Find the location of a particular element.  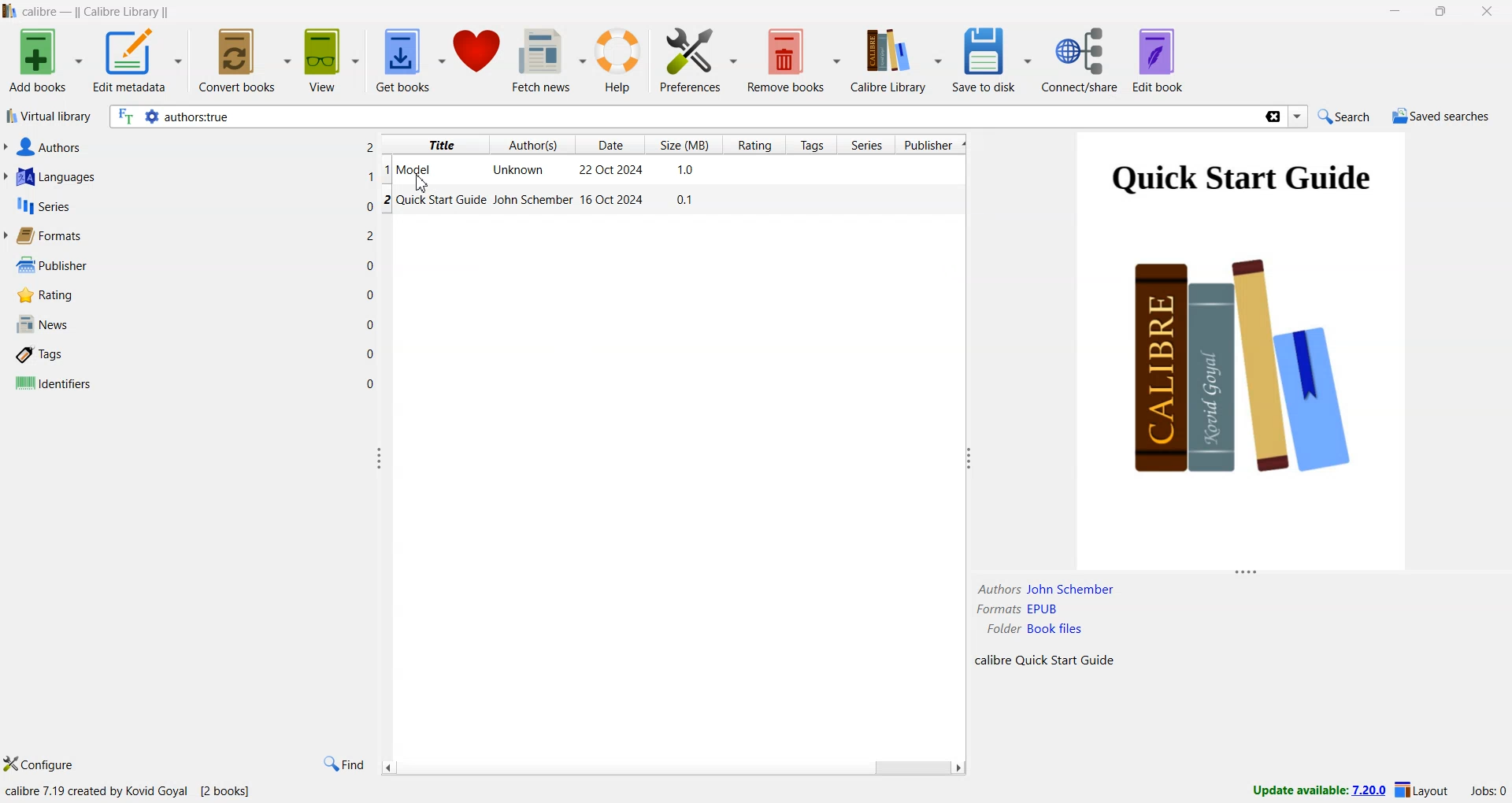

change layout is located at coordinates (1421, 793).